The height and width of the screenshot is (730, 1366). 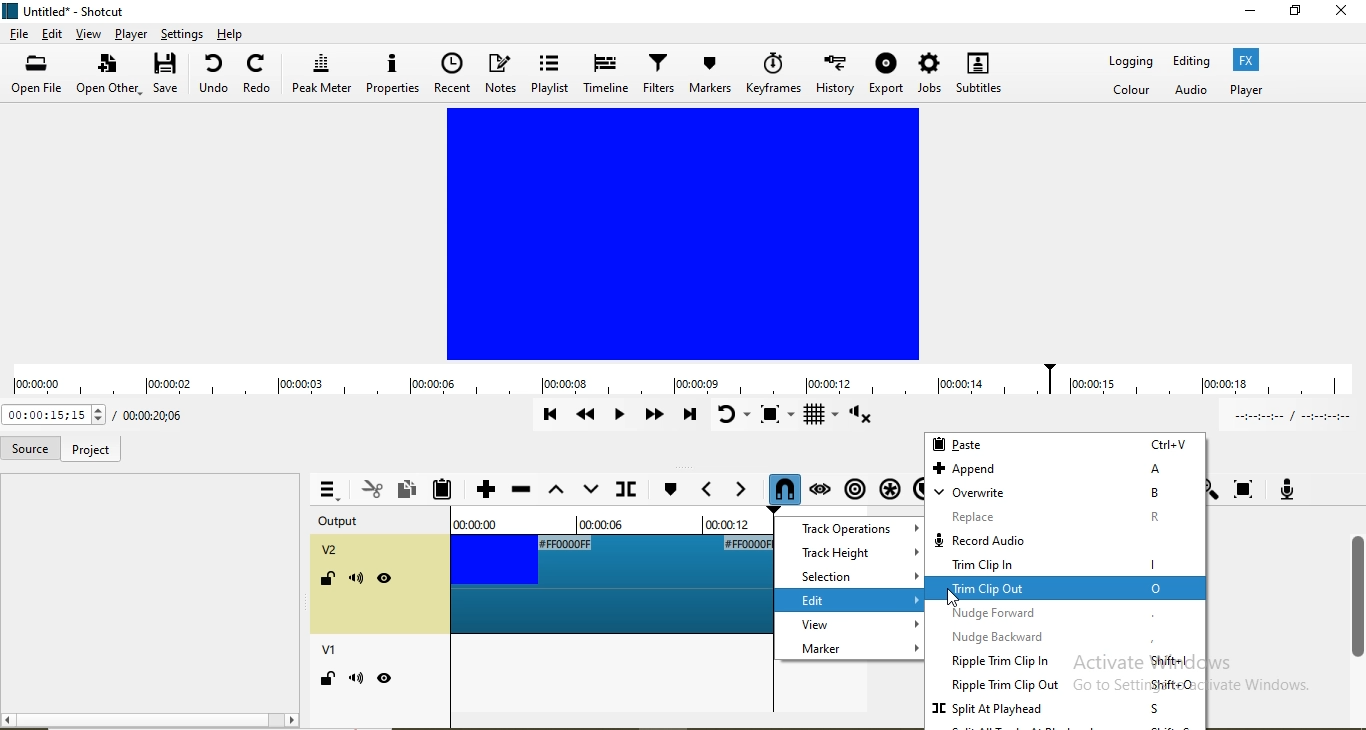 What do you see at coordinates (452, 73) in the screenshot?
I see `recent` at bounding box center [452, 73].